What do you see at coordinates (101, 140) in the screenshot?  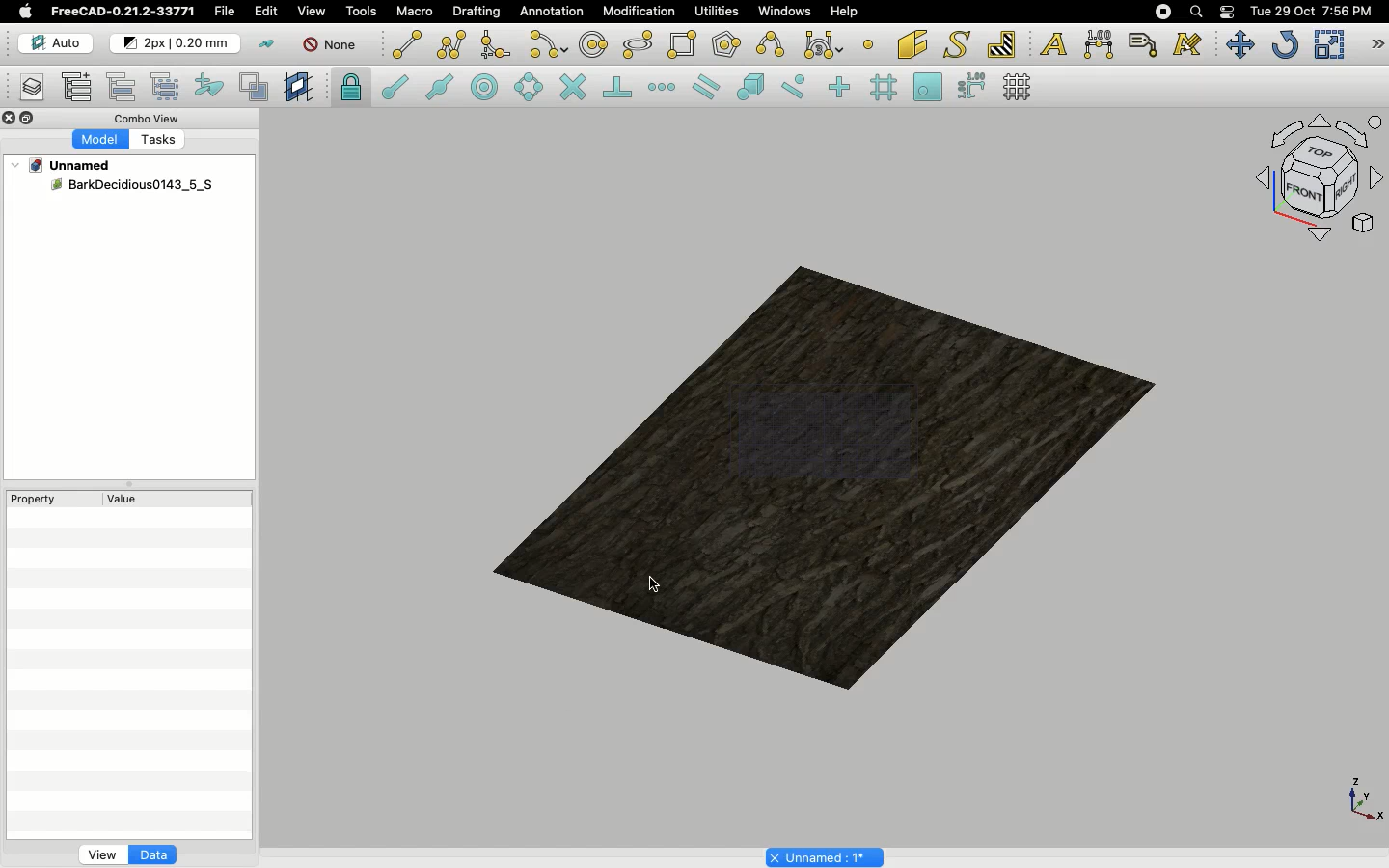 I see `Model` at bounding box center [101, 140].